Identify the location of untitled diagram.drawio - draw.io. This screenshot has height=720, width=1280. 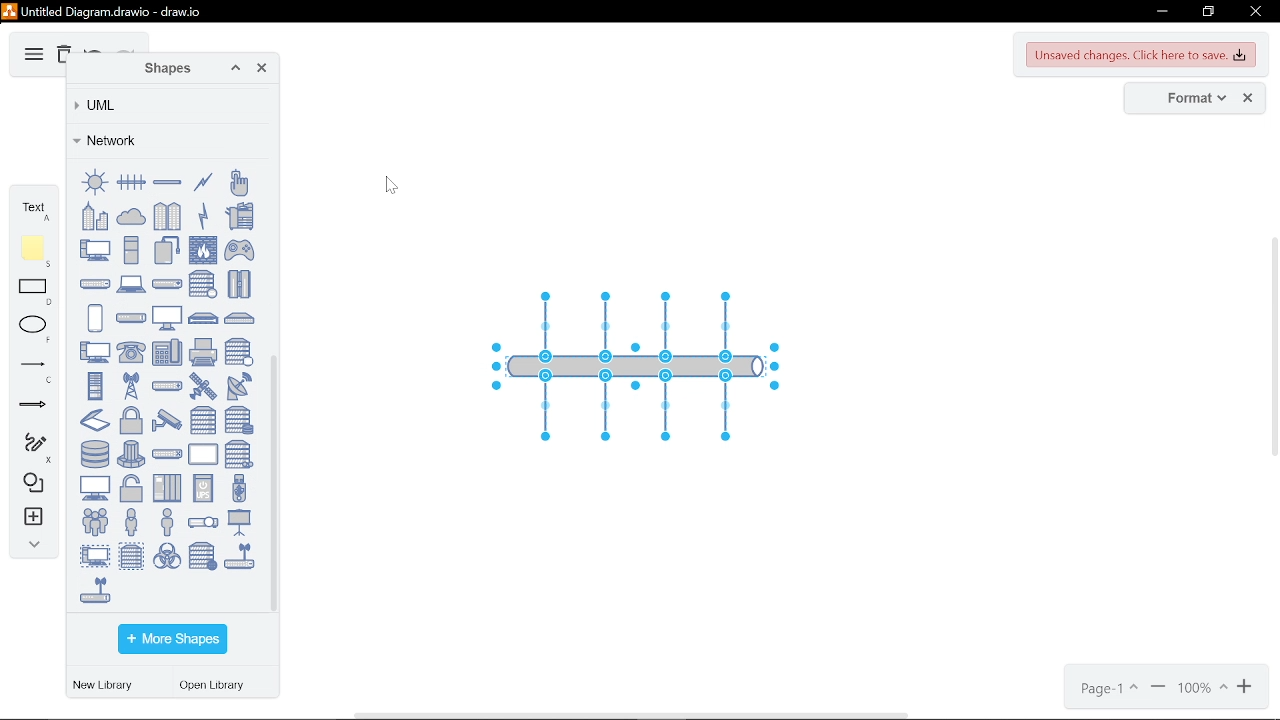
(114, 10).